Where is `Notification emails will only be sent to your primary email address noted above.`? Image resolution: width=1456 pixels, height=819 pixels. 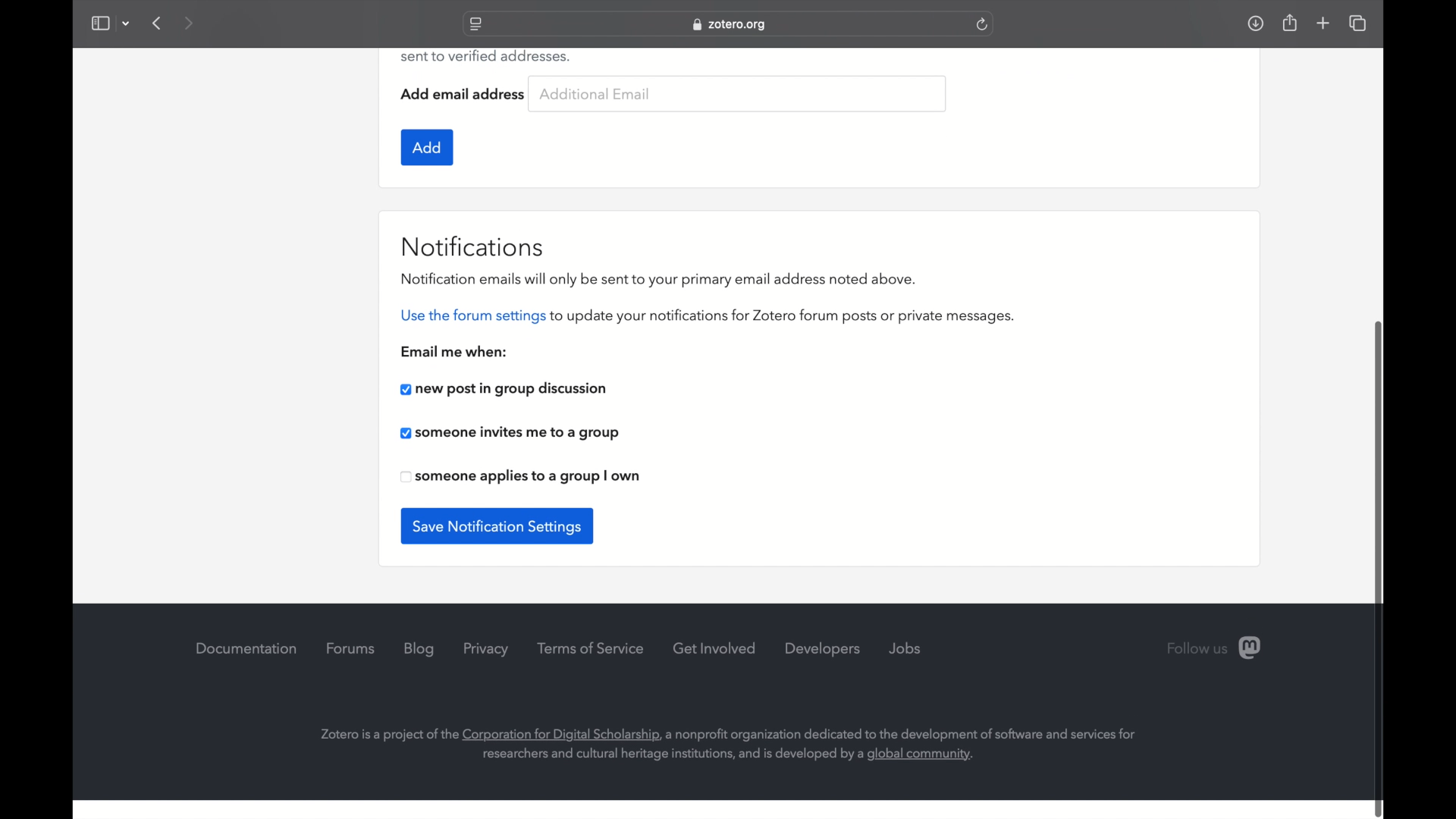
Notification emails will only be sent to your primary email address noted above. is located at coordinates (667, 279).